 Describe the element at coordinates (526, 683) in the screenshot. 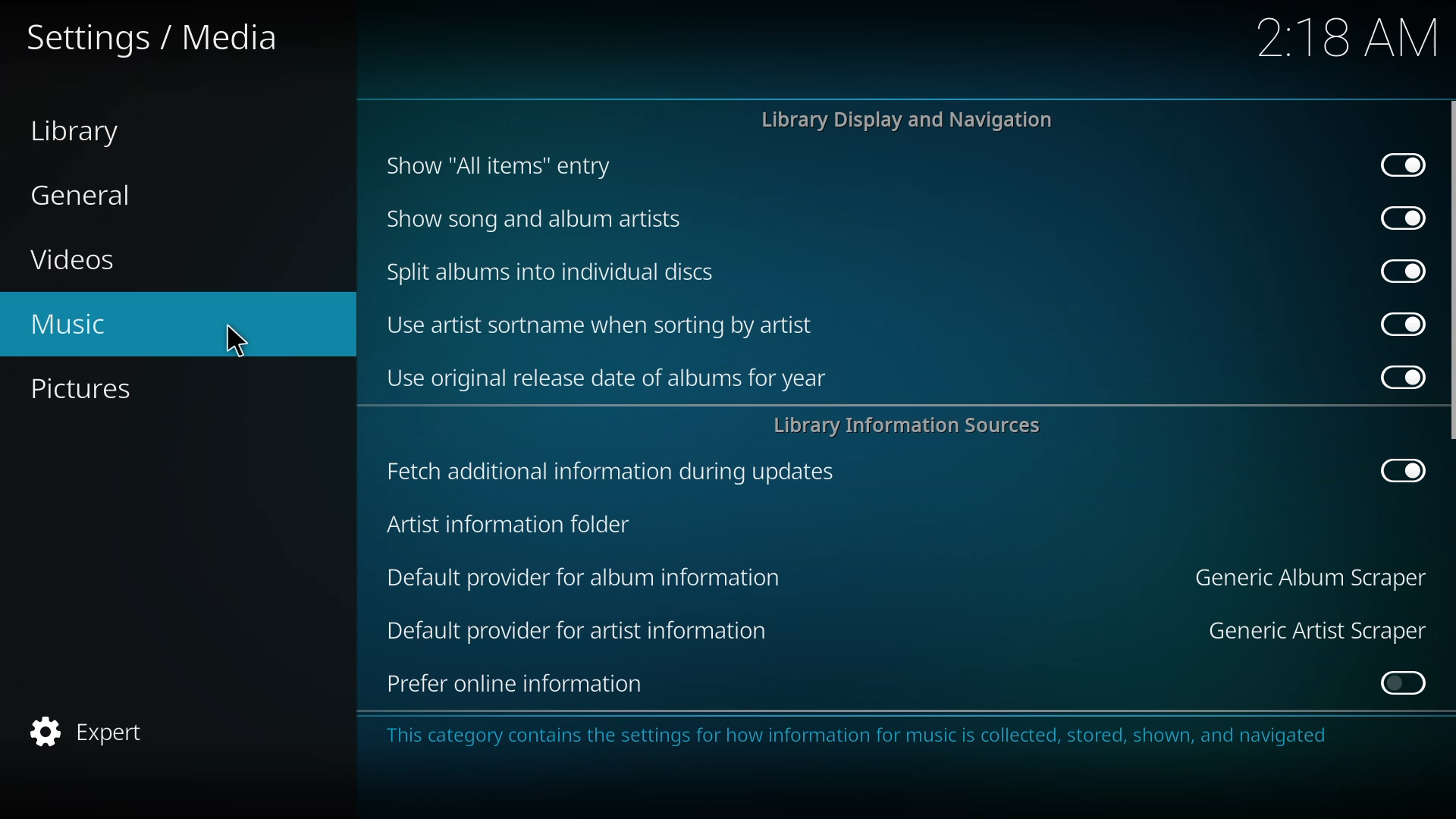

I see `prefer online information` at that location.